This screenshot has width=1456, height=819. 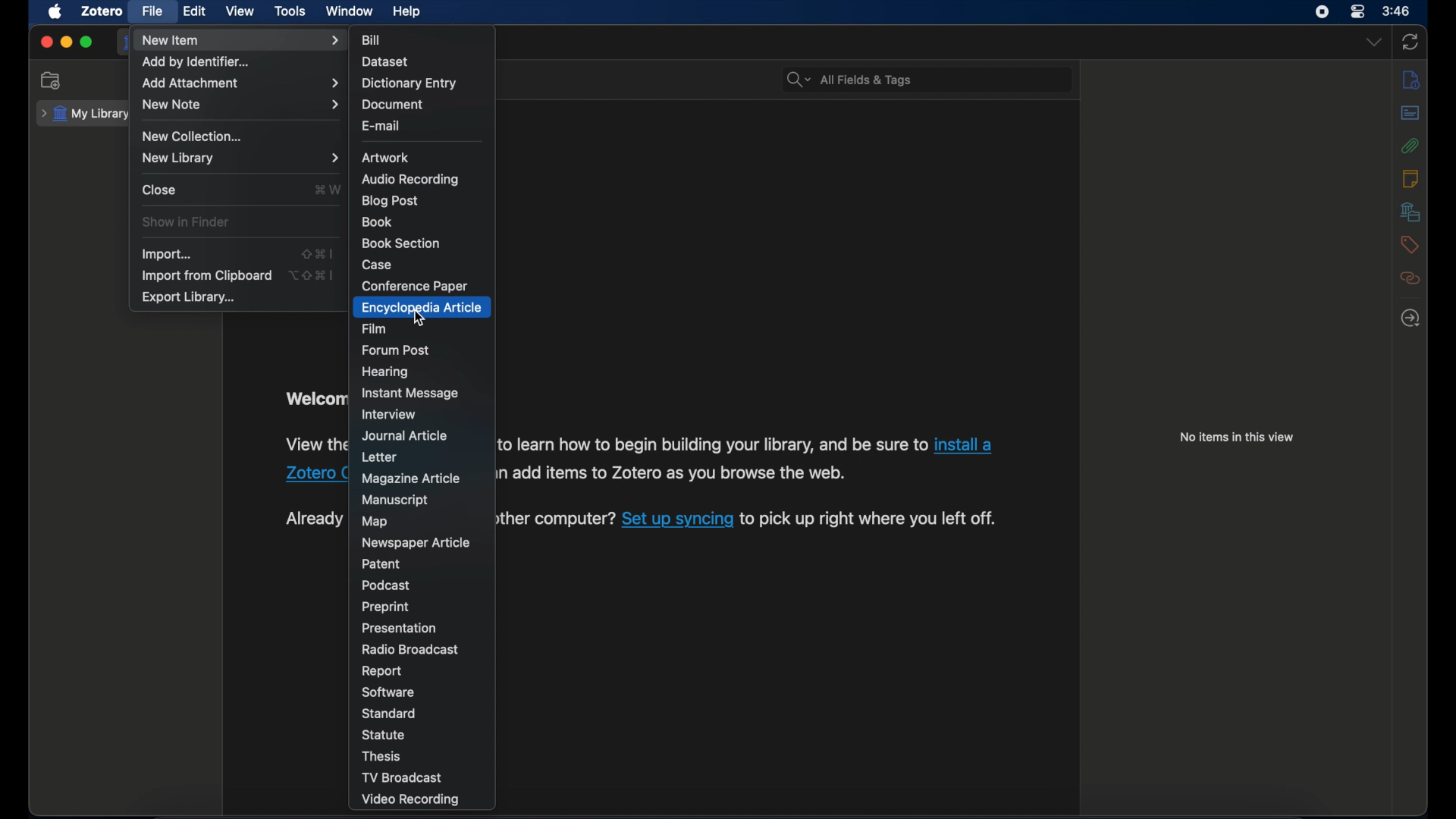 I want to click on case, so click(x=377, y=265).